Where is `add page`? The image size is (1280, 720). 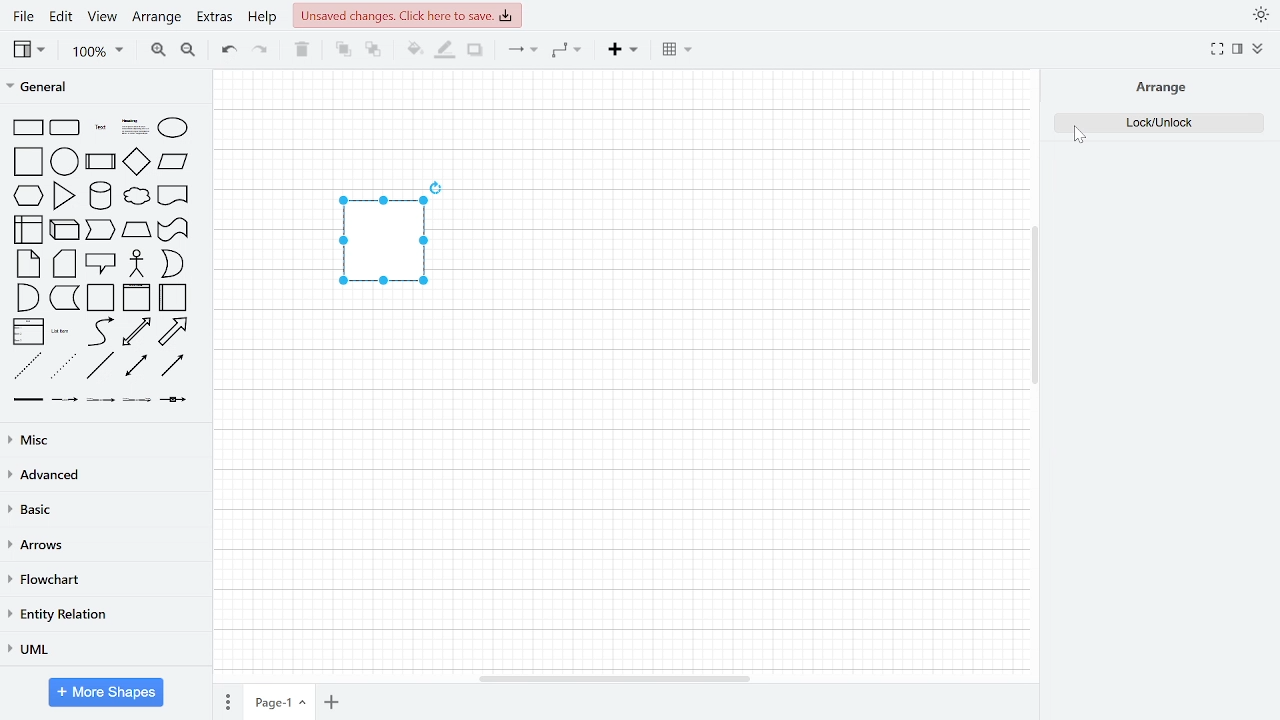
add page is located at coordinates (330, 702).